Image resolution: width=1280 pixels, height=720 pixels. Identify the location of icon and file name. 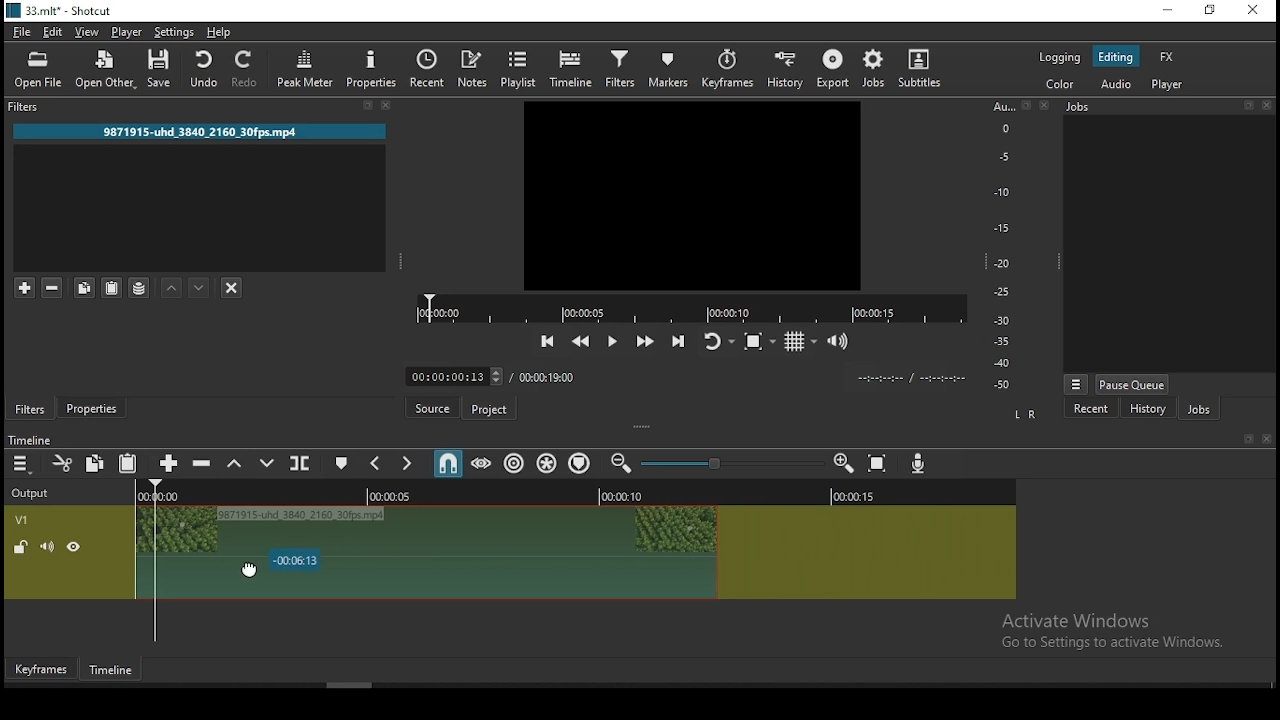
(63, 11).